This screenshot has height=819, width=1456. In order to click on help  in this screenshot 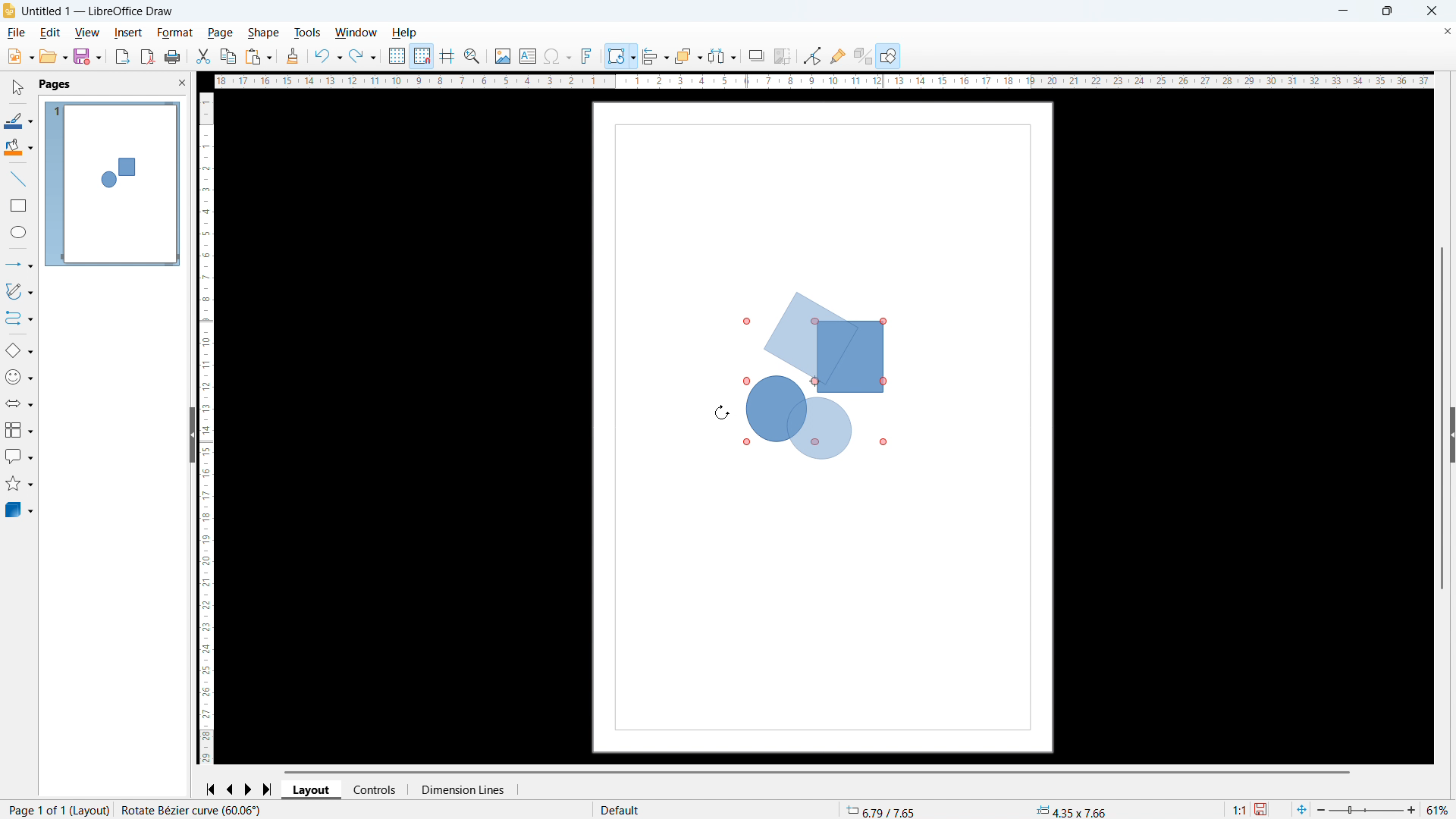, I will do `click(405, 33)`.